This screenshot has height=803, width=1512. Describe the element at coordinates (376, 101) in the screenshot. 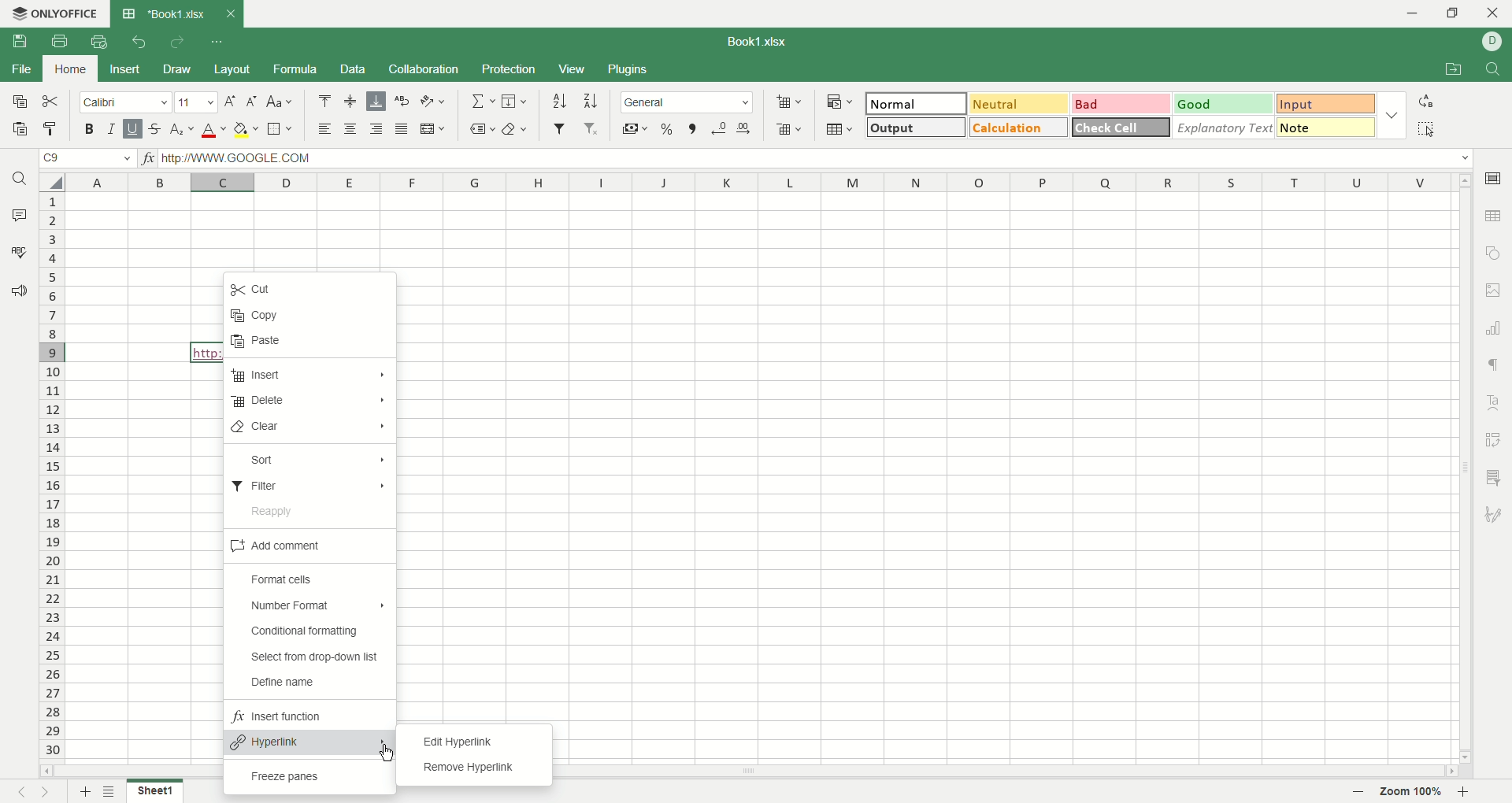

I see `align bottom` at that location.